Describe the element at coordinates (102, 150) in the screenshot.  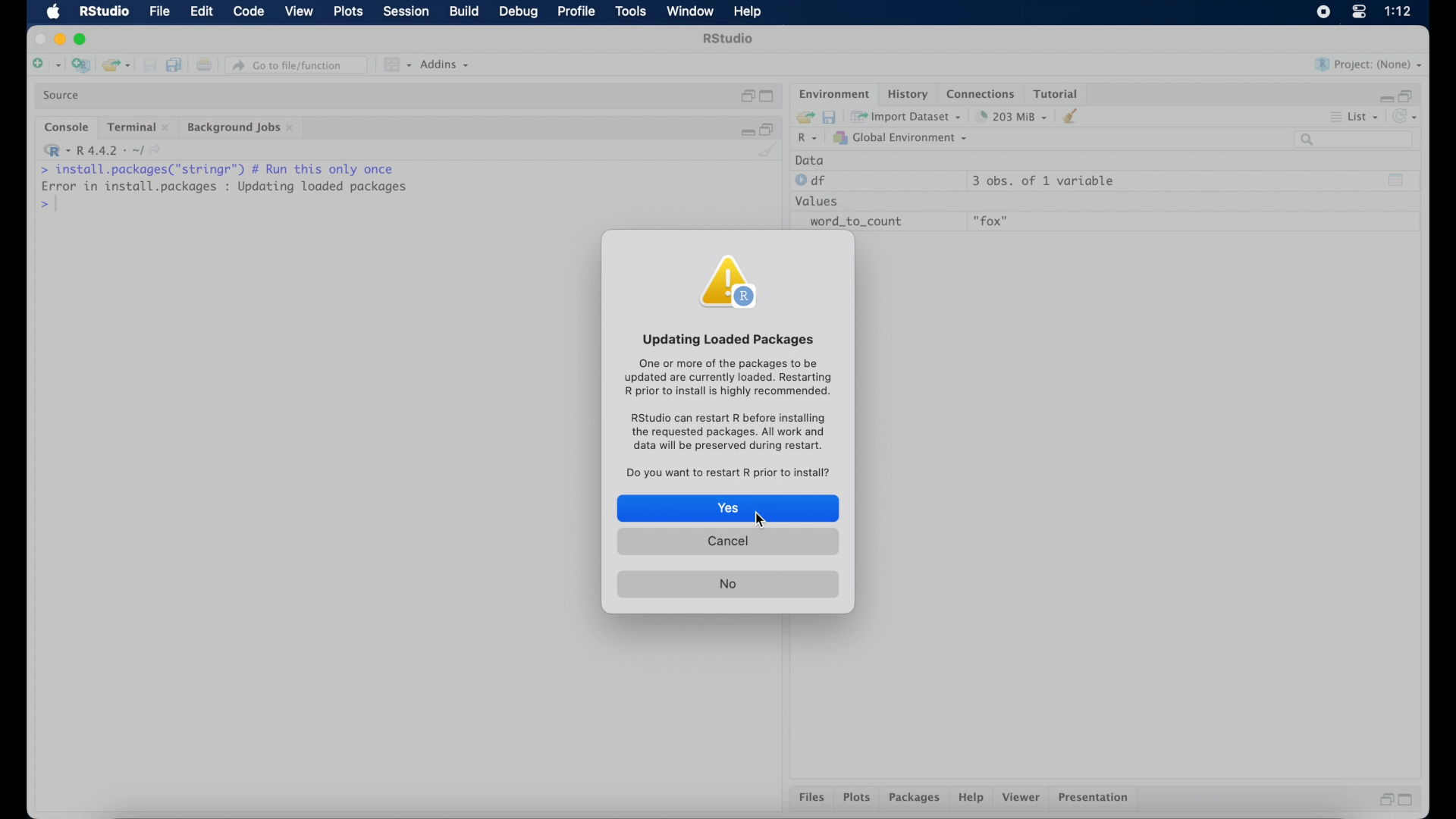
I see `R 4.4.2` at that location.